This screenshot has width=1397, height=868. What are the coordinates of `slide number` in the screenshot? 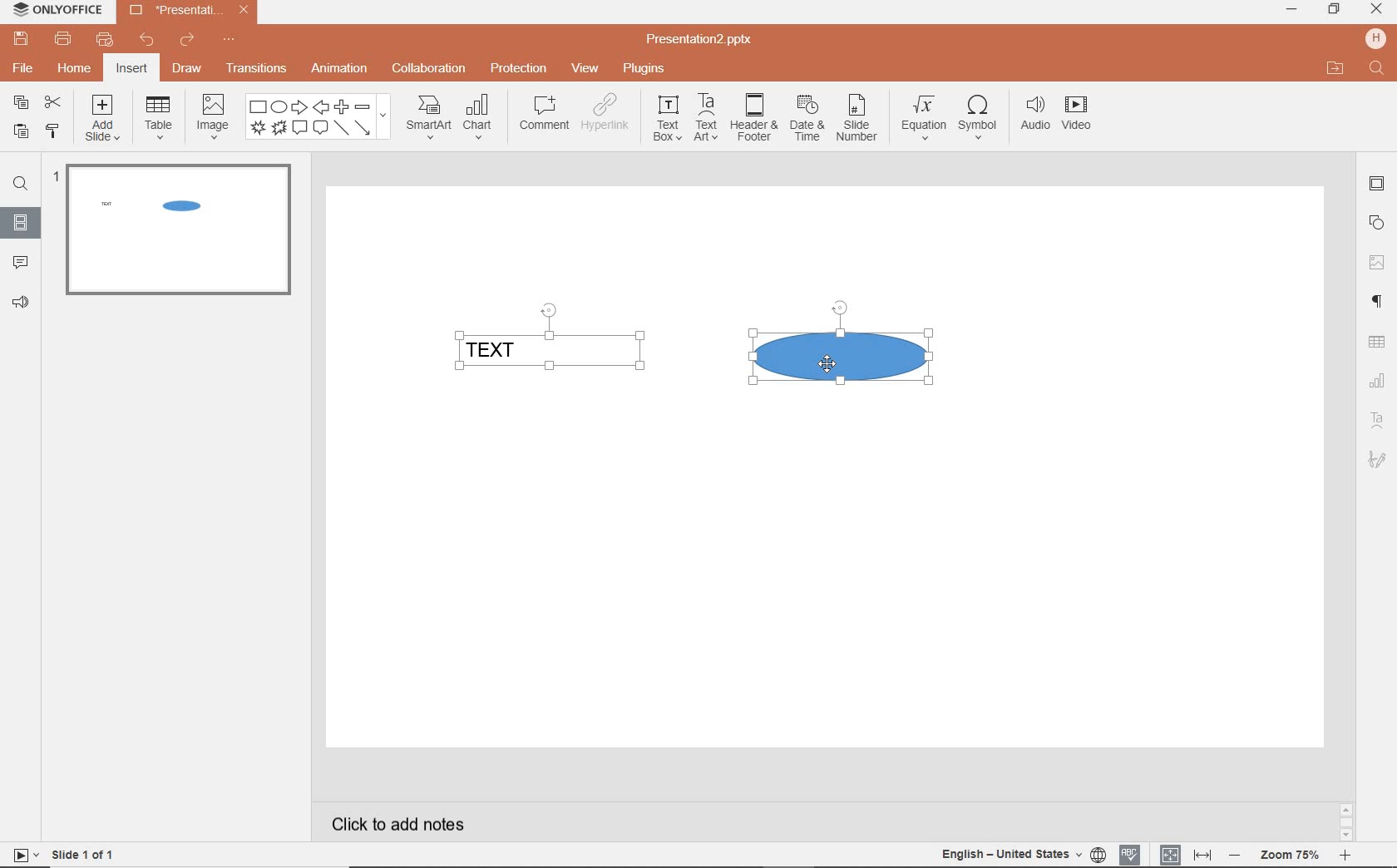 It's located at (856, 121).